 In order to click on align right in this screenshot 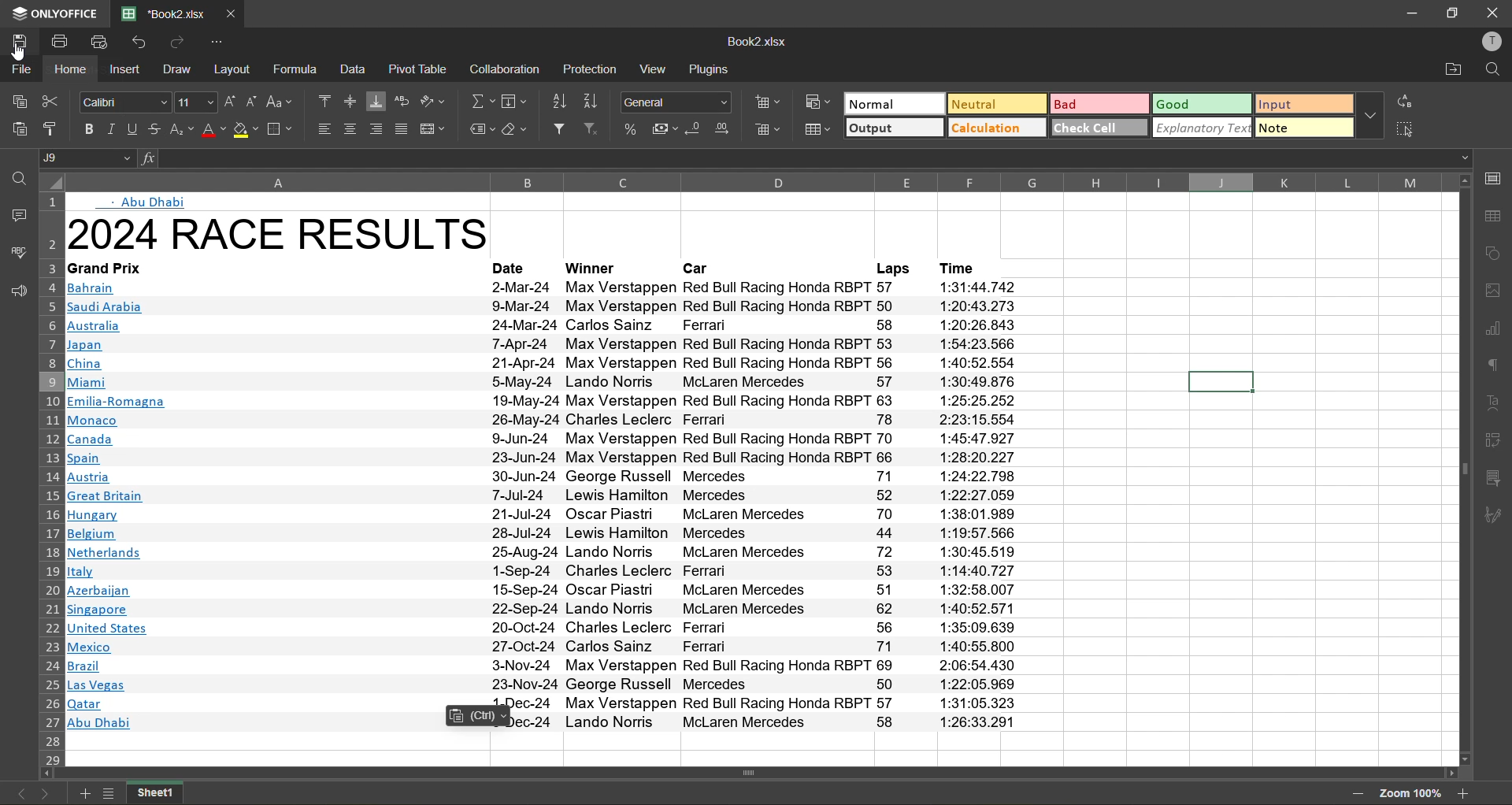, I will do `click(377, 130)`.